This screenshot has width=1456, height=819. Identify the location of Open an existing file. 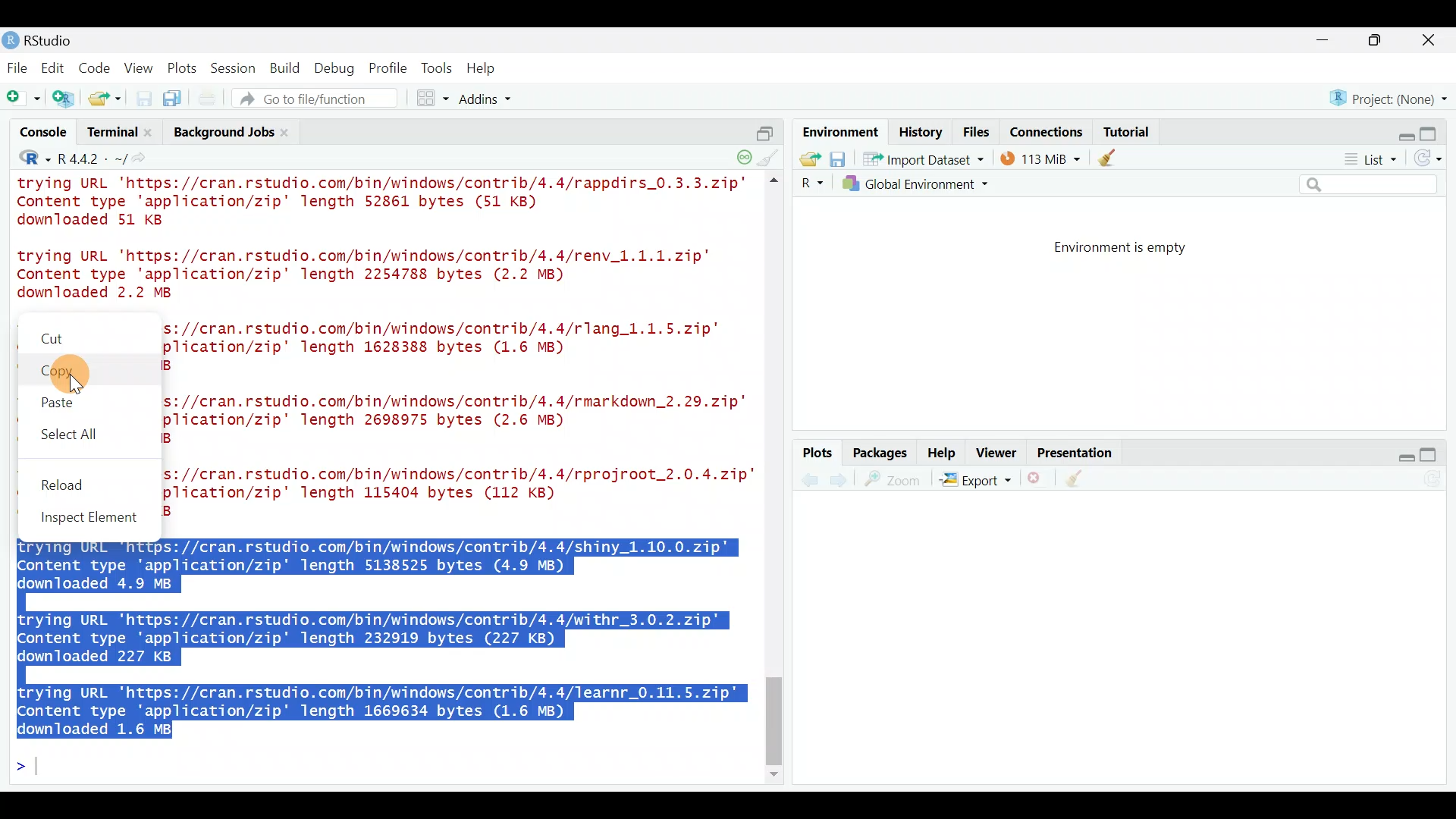
(106, 100).